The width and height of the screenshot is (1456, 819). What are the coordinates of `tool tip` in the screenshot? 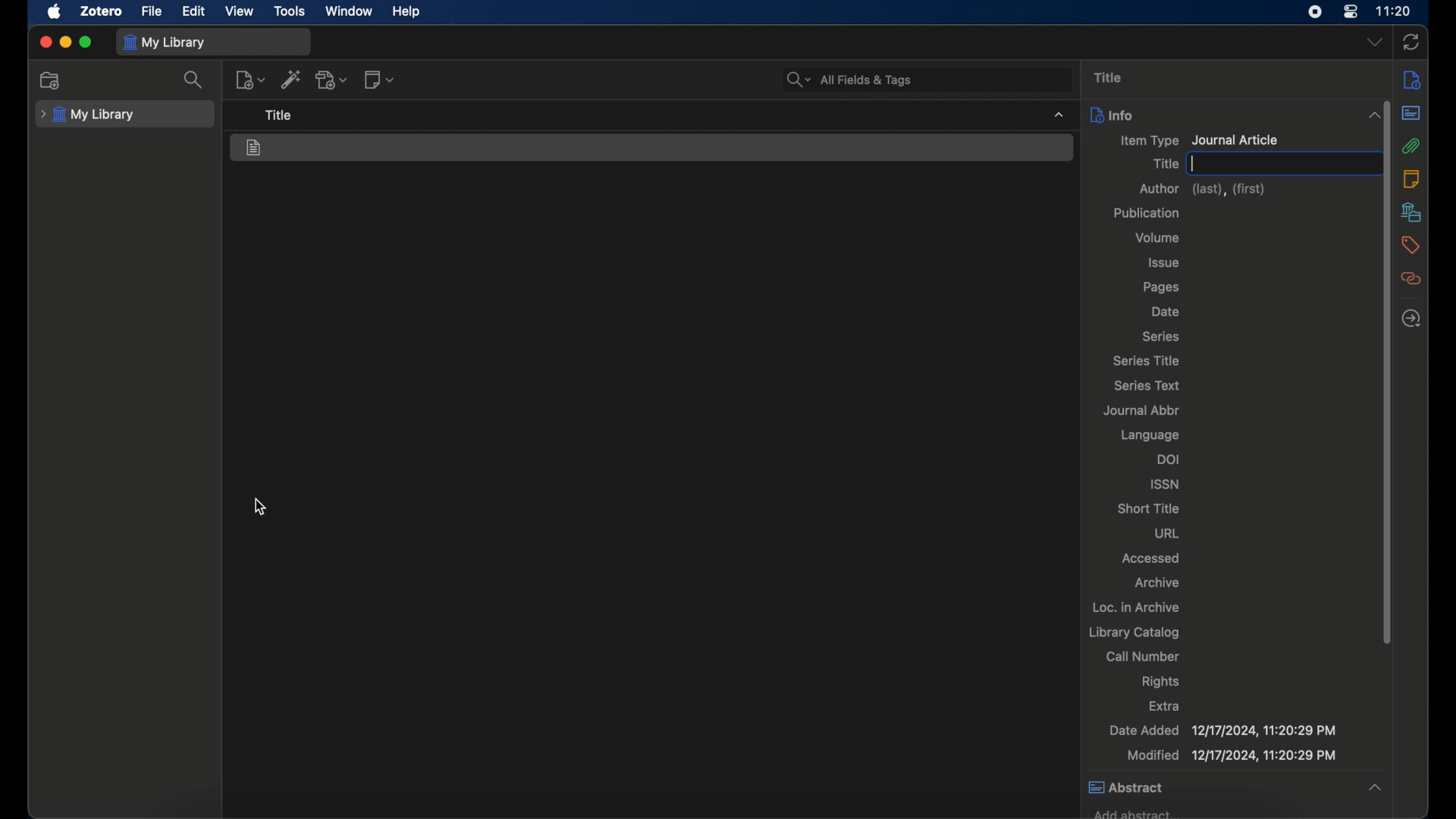 It's located at (279, 115).